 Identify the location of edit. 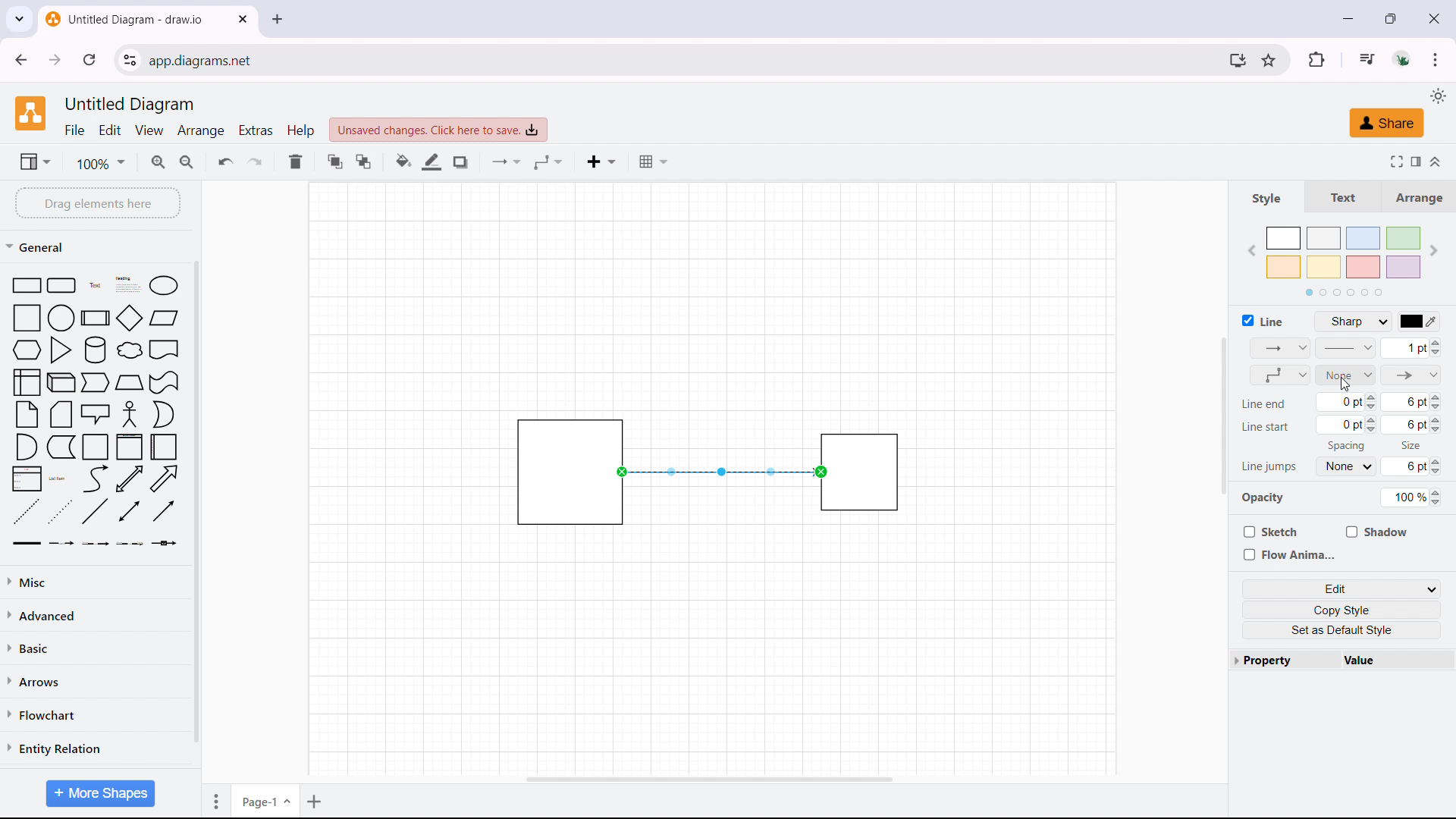
(111, 130).